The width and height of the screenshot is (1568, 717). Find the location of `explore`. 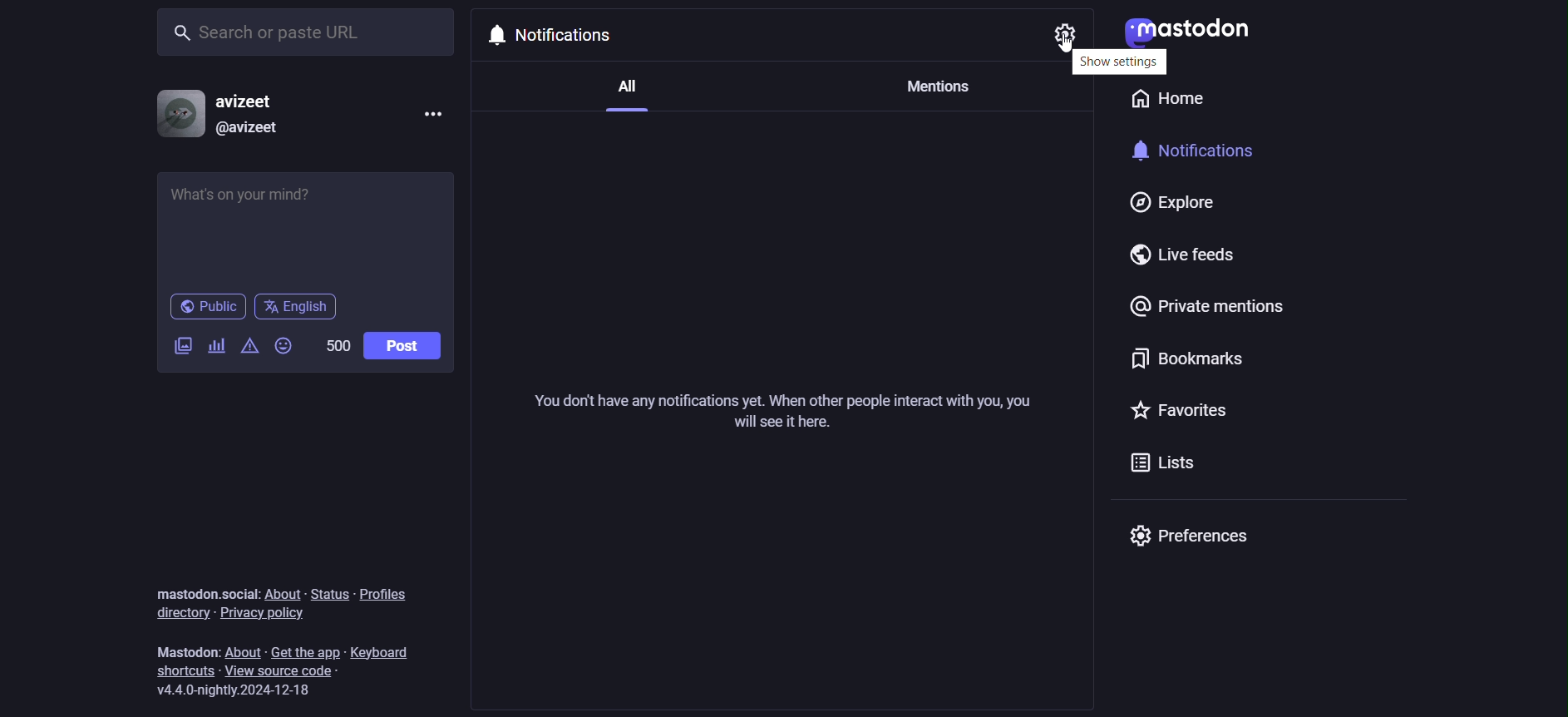

explore is located at coordinates (1172, 202).